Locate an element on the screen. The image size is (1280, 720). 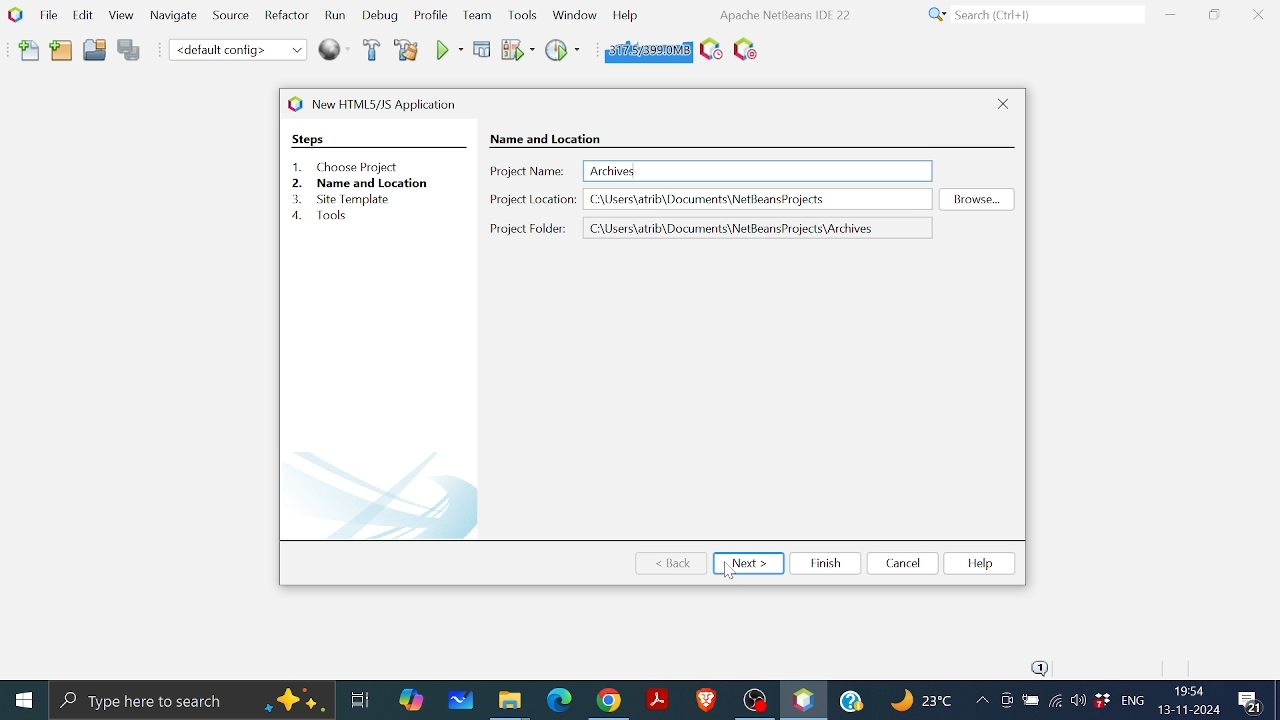
Project Folder: is located at coordinates (528, 228).